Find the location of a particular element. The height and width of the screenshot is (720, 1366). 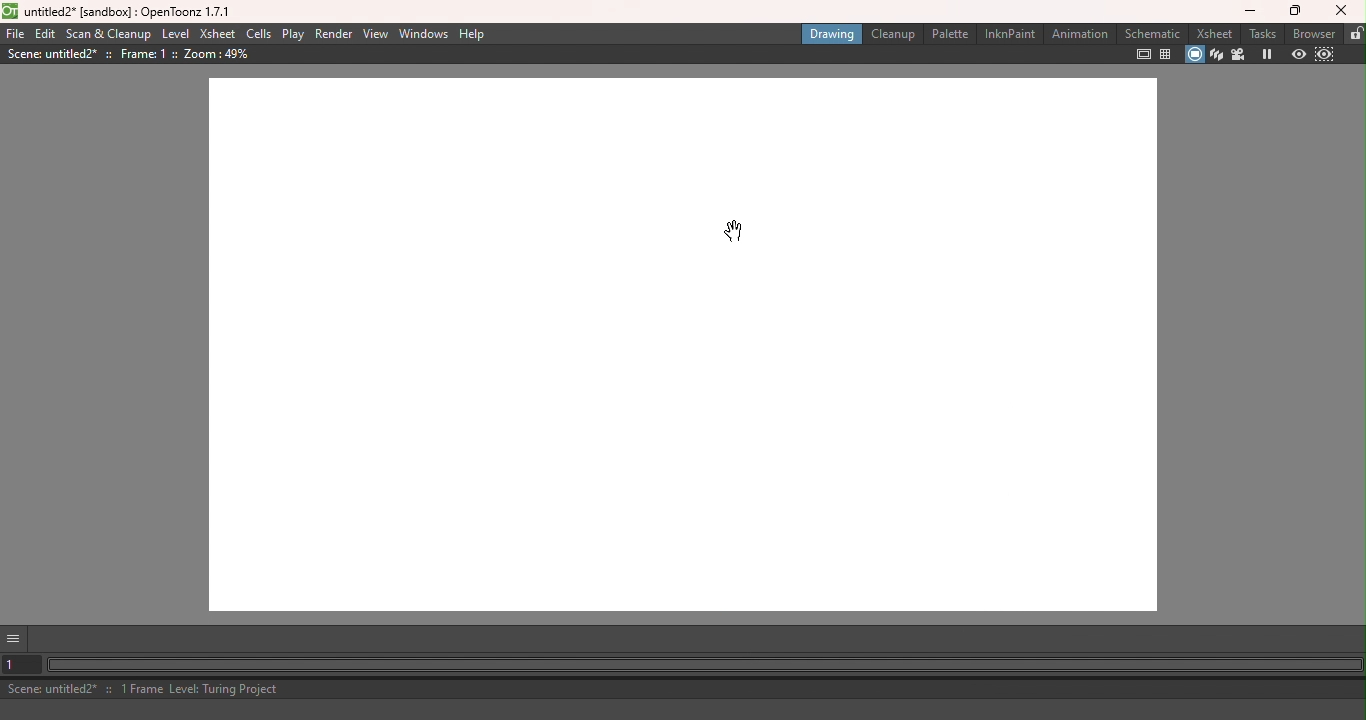

Canvas details is located at coordinates (137, 56).